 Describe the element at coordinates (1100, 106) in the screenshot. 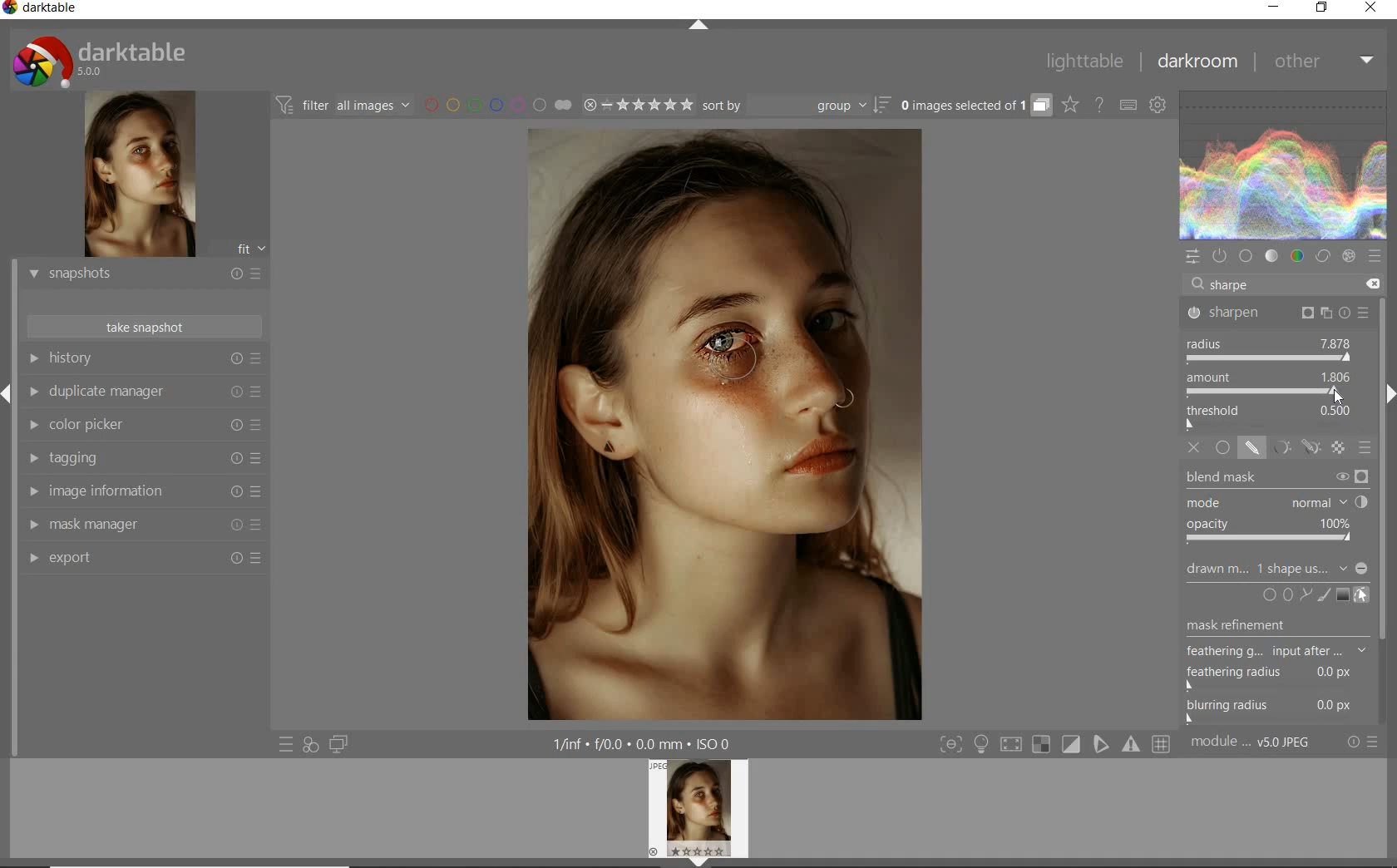

I see `enable online help` at that location.